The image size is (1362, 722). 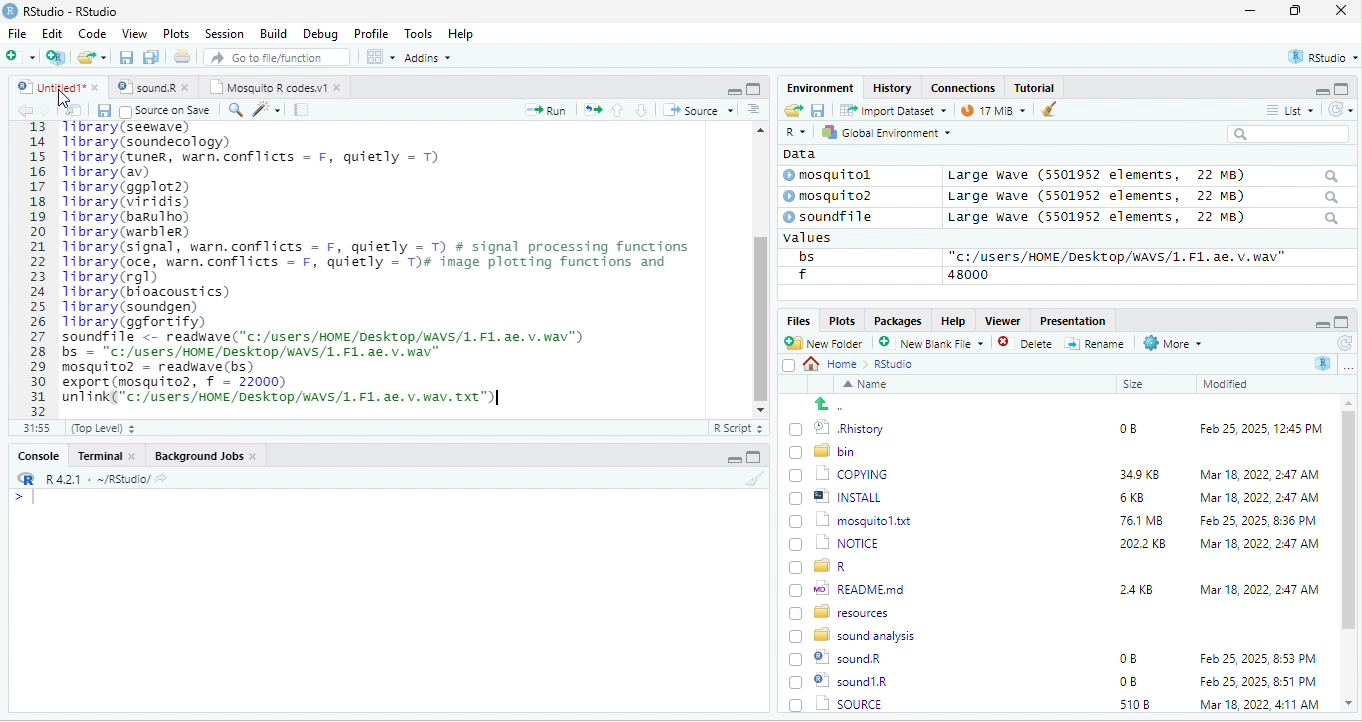 I want to click on maximize, so click(x=1342, y=322).